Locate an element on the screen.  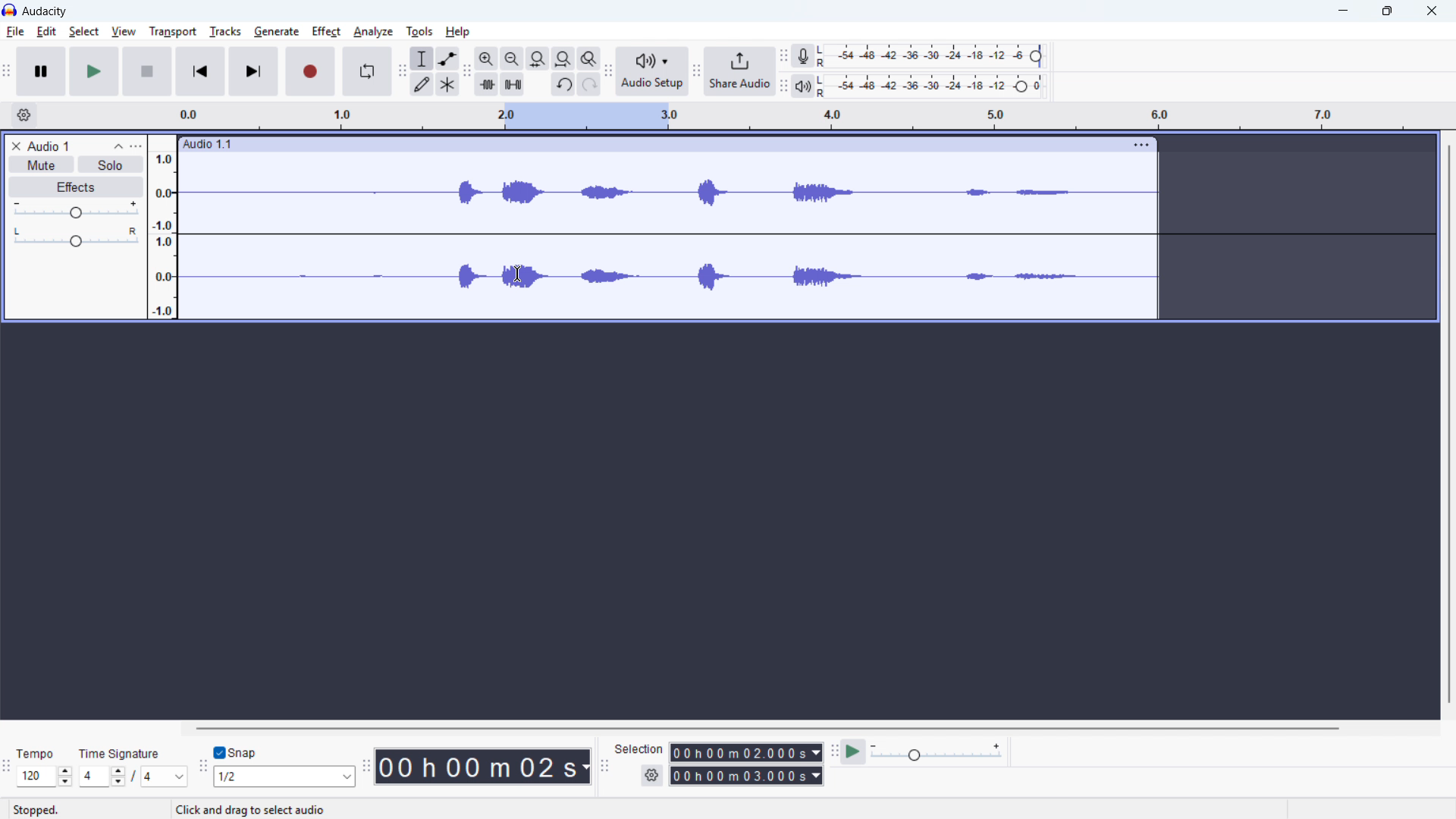
Time signature is located at coordinates (120, 752).